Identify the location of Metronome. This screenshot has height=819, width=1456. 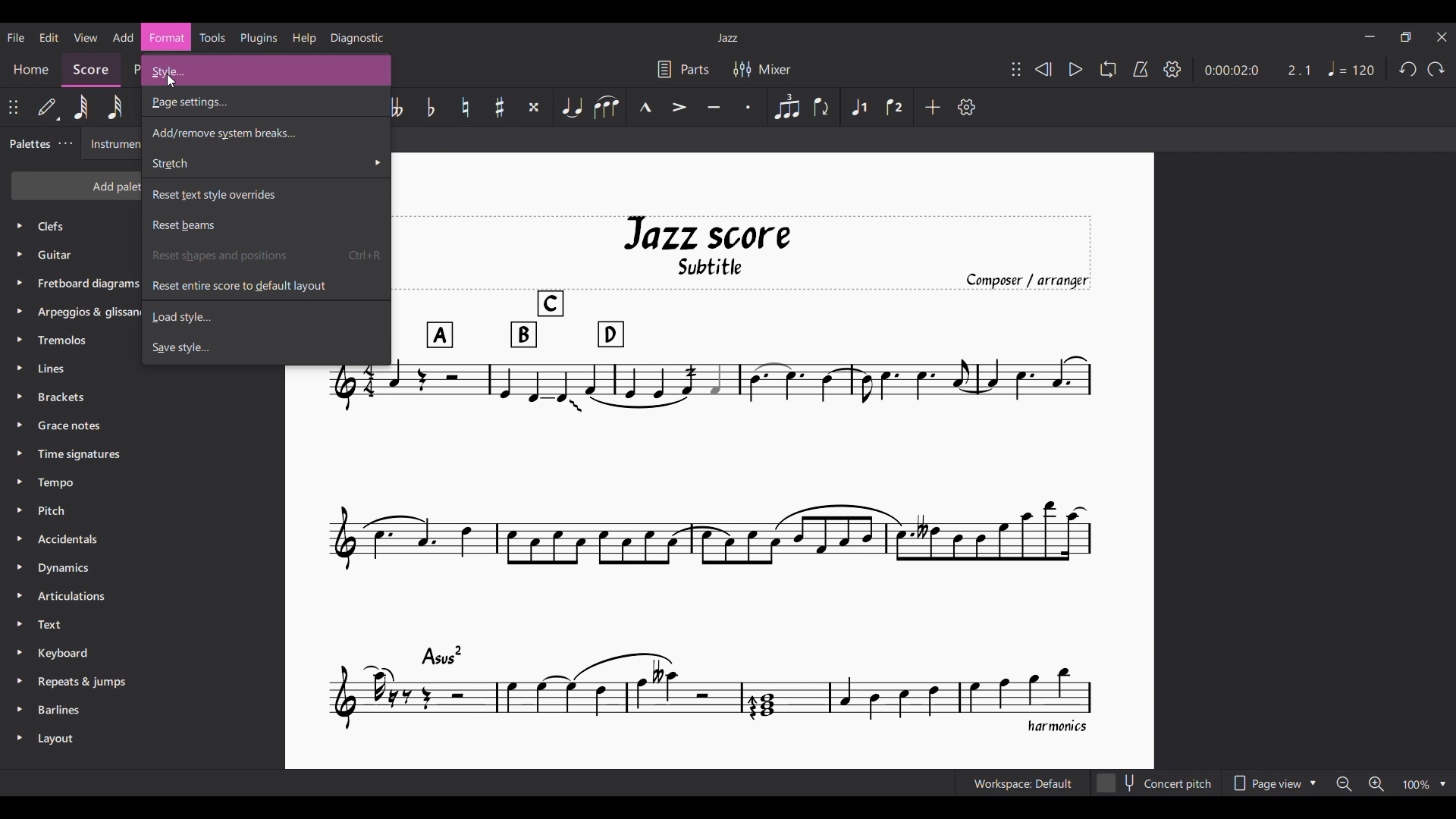
(1141, 69).